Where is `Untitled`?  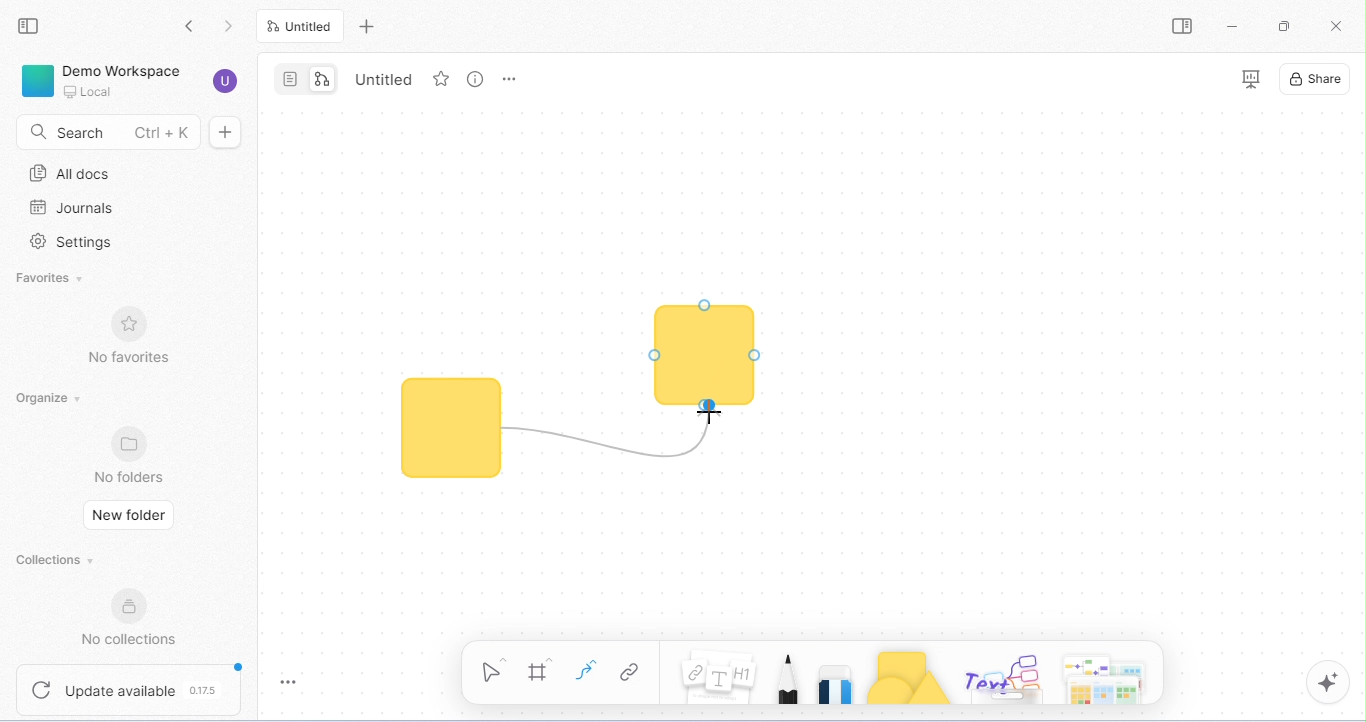
Untitled is located at coordinates (302, 26).